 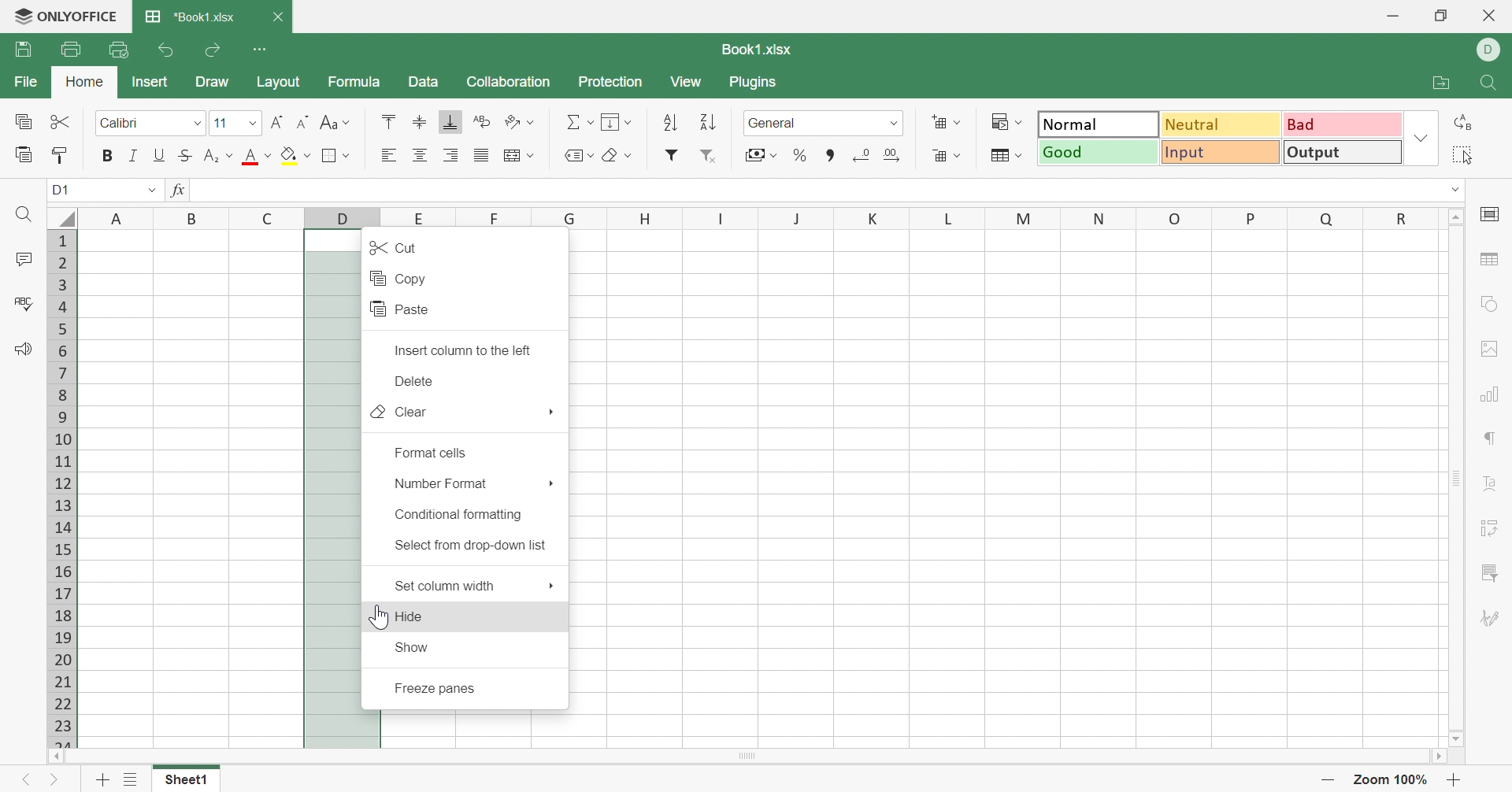 What do you see at coordinates (709, 156) in the screenshot?
I see `Remove filter` at bounding box center [709, 156].